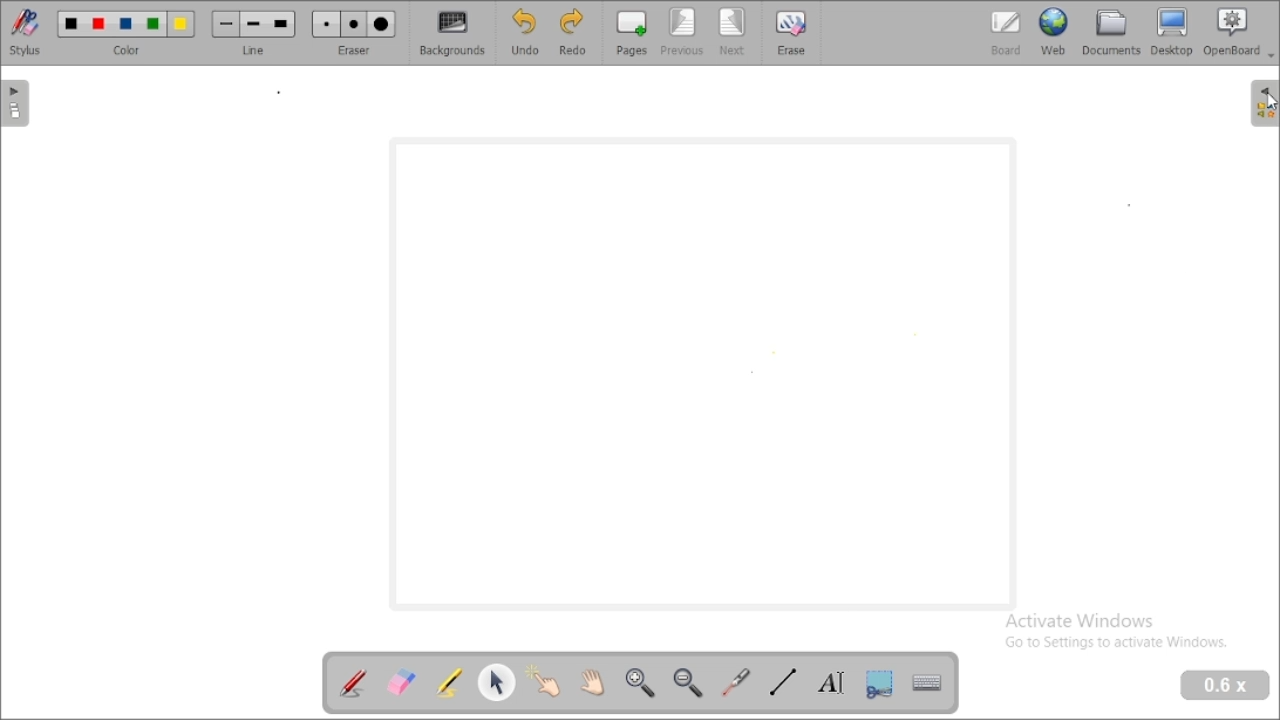  What do you see at coordinates (1239, 32) in the screenshot?
I see `openboard` at bounding box center [1239, 32].